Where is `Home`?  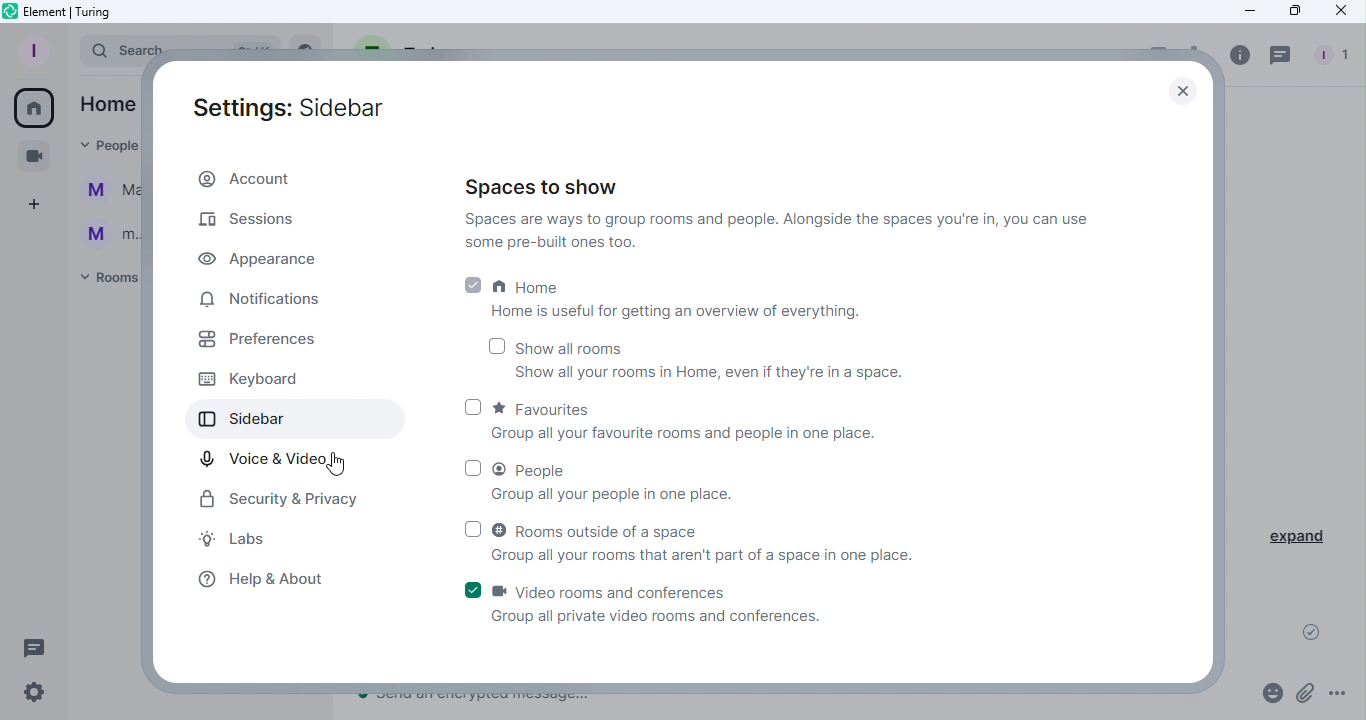
Home is located at coordinates (683, 297).